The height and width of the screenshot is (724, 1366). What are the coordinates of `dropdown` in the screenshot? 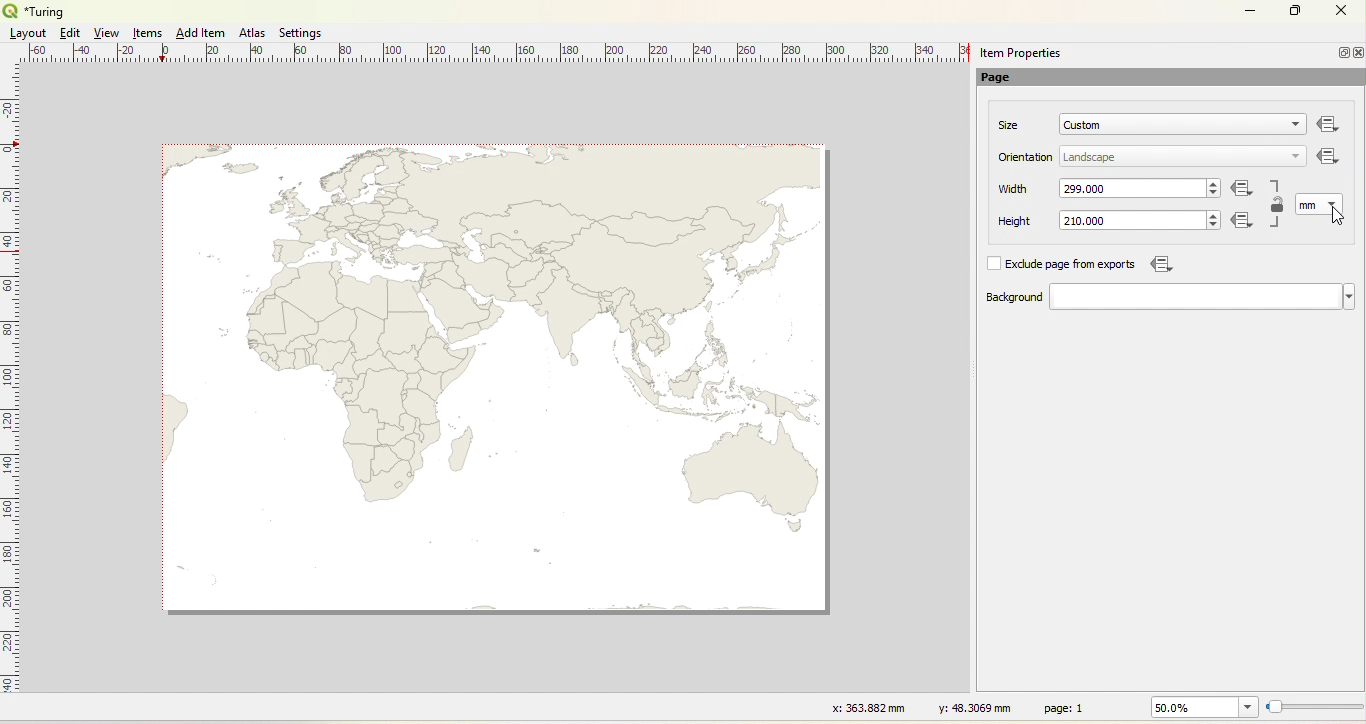 It's located at (1202, 297).